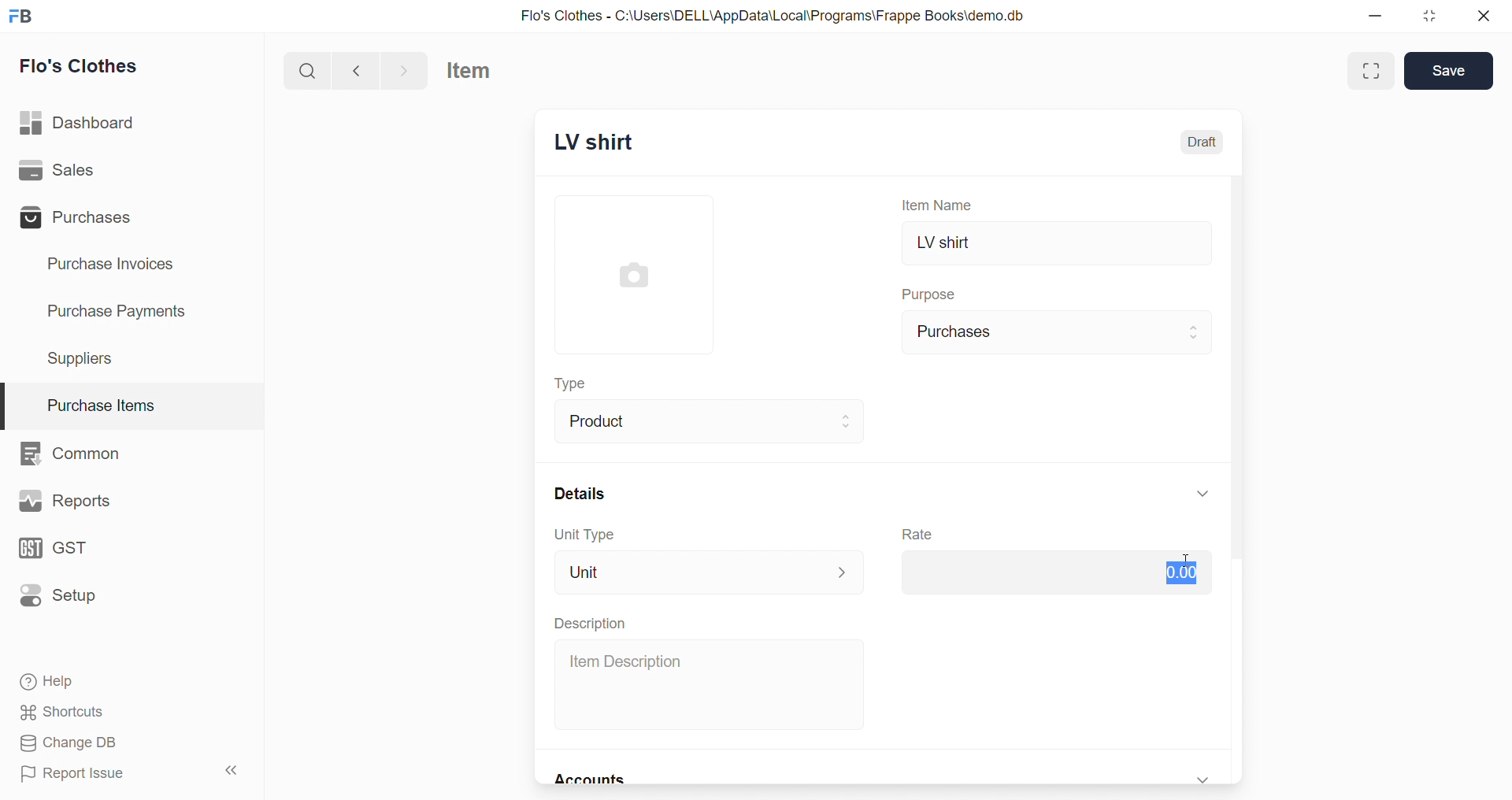 The width and height of the screenshot is (1512, 800). I want to click on navigate backward, so click(356, 69).